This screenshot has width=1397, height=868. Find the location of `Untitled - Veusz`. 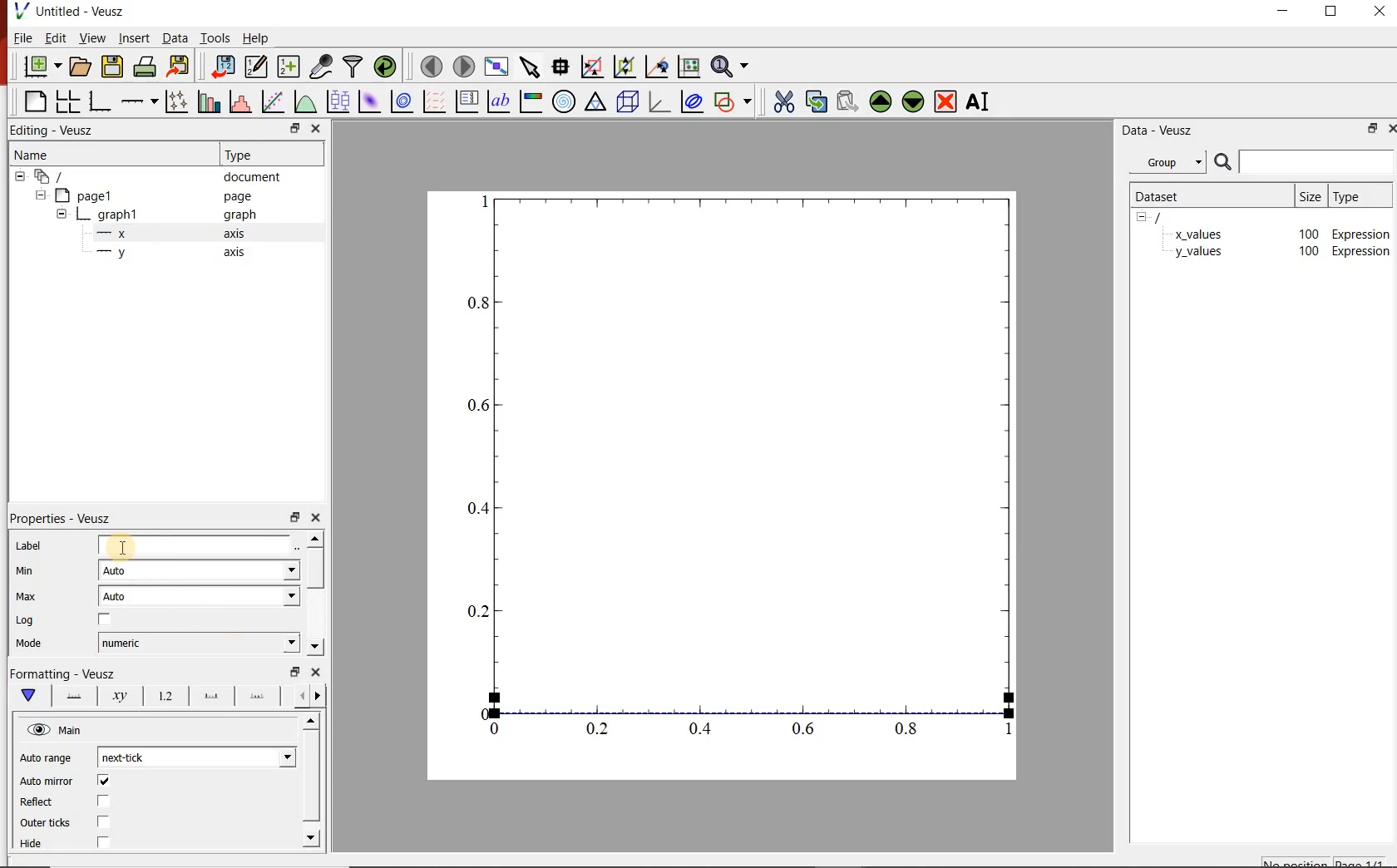

Untitled - Veusz is located at coordinates (81, 11).